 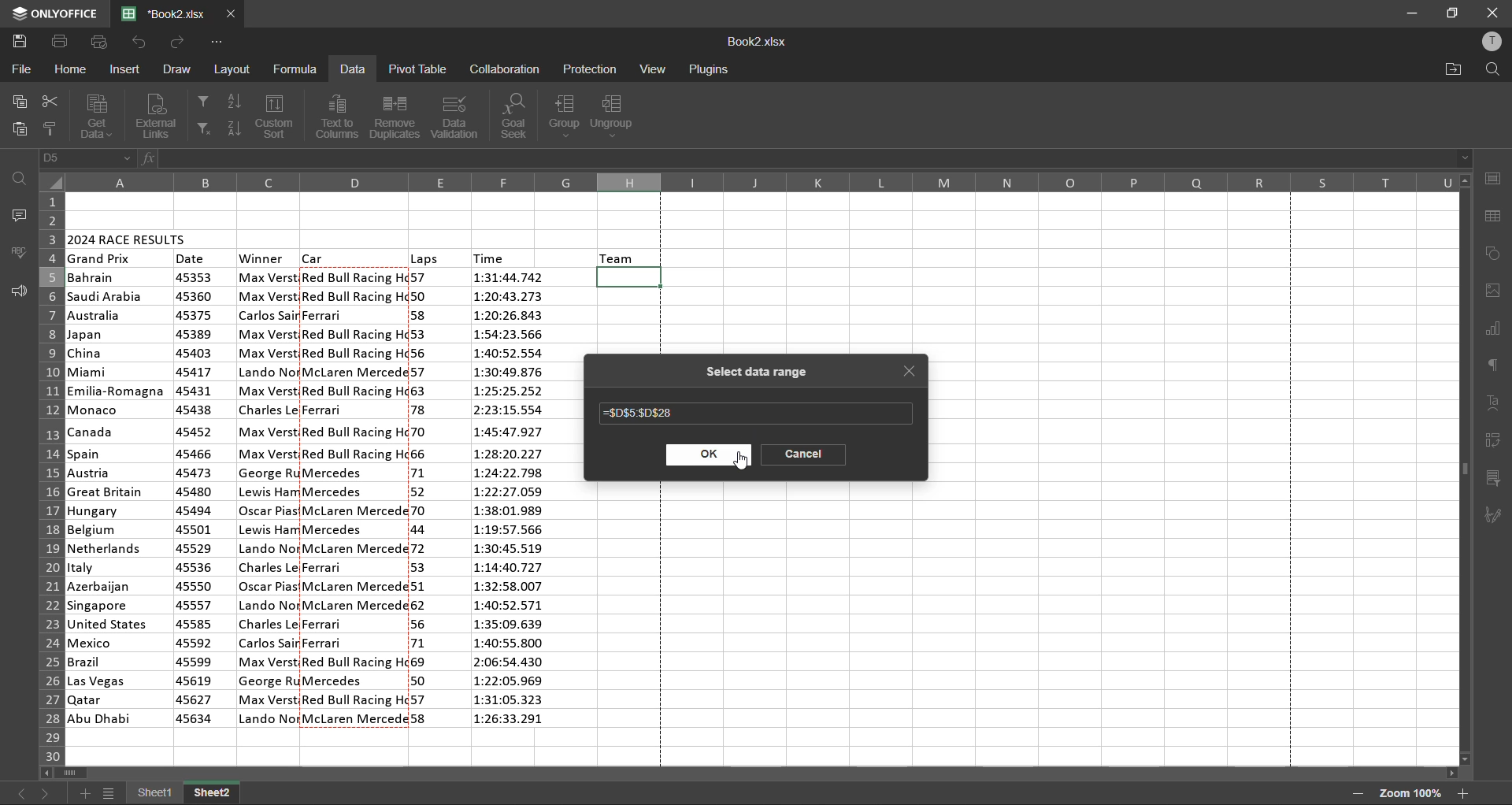 What do you see at coordinates (751, 775) in the screenshot?
I see `scrollbar` at bounding box center [751, 775].